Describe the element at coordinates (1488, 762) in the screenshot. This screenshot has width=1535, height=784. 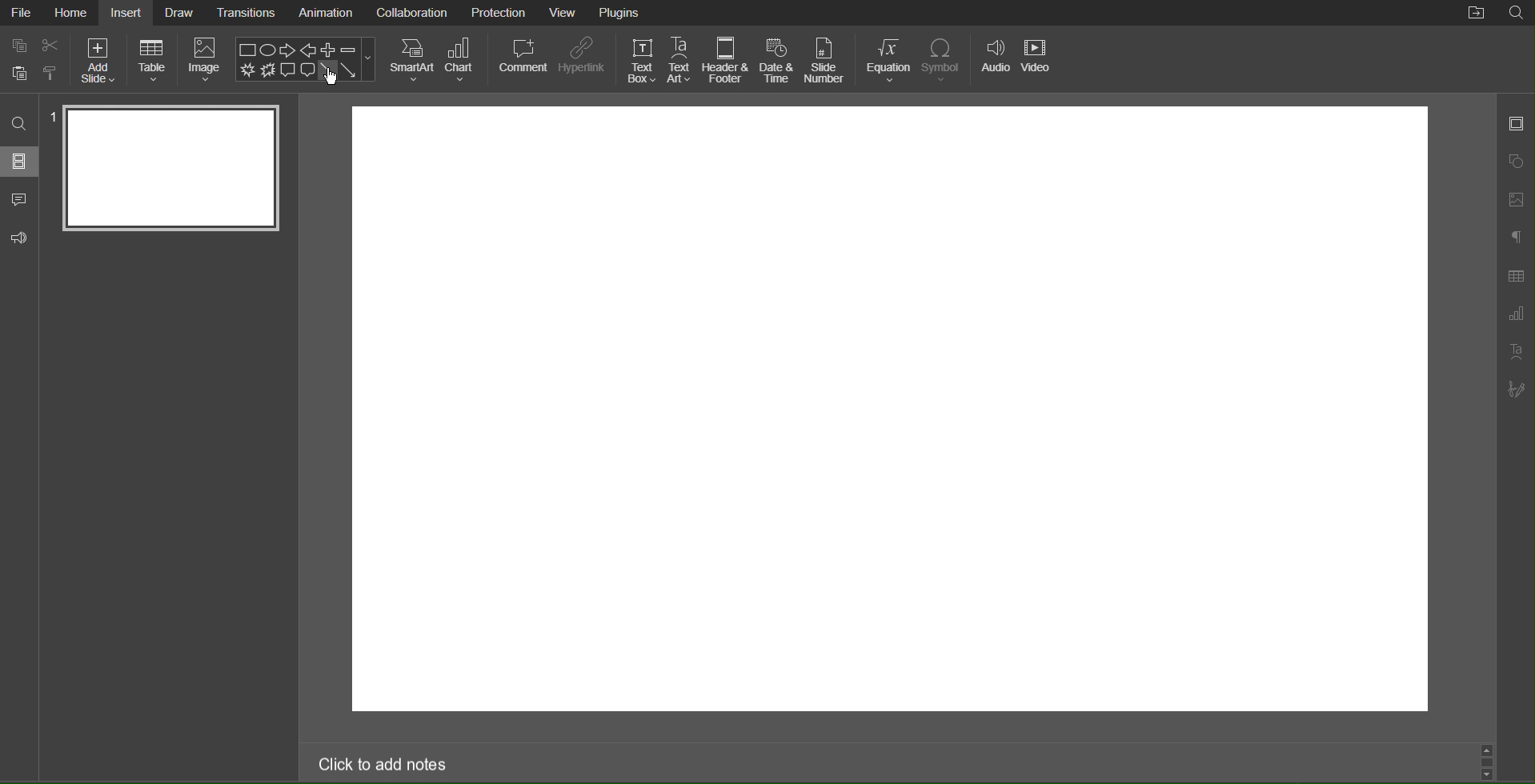
I see `Scroll Up and Down Arrows` at that location.